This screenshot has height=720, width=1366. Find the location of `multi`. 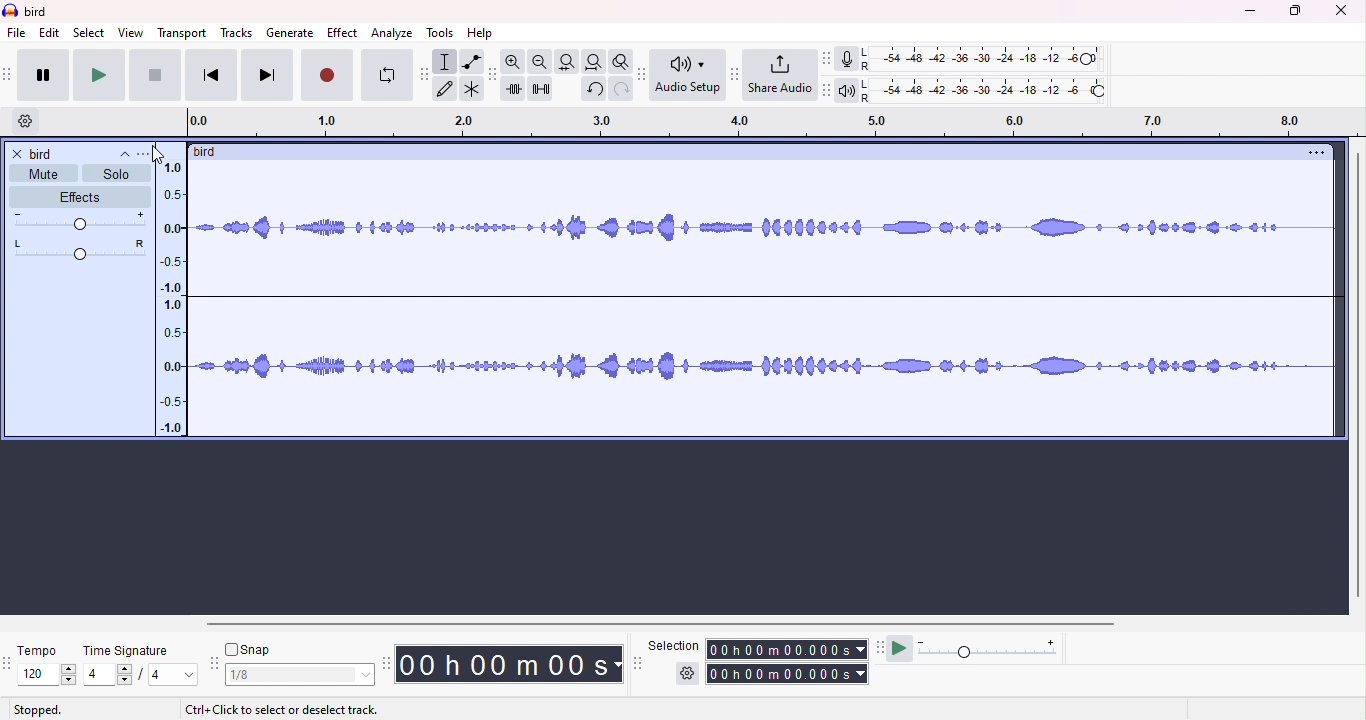

multi is located at coordinates (471, 88).